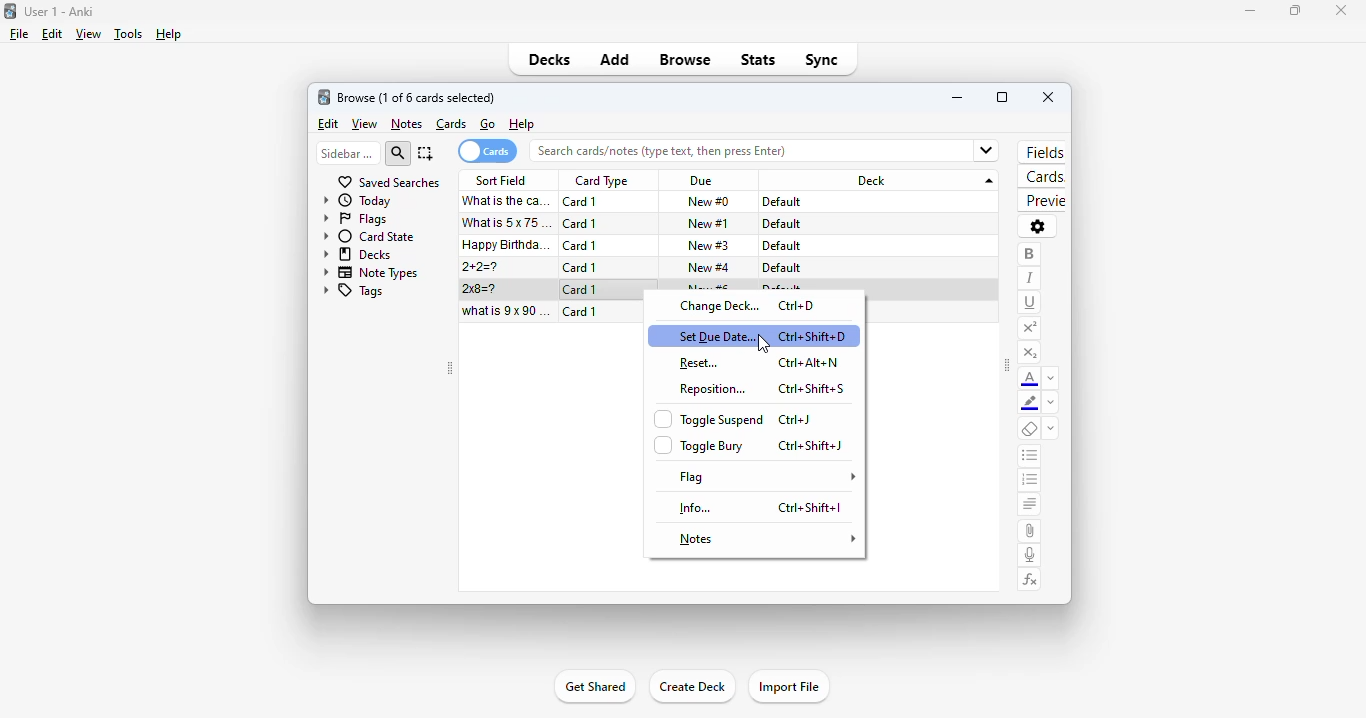 This screenshot has width=1366, height=718. What do you see at coordinates (1051, 378) in the screenshot?
I see `change color` at bounding box center [1051, 378].